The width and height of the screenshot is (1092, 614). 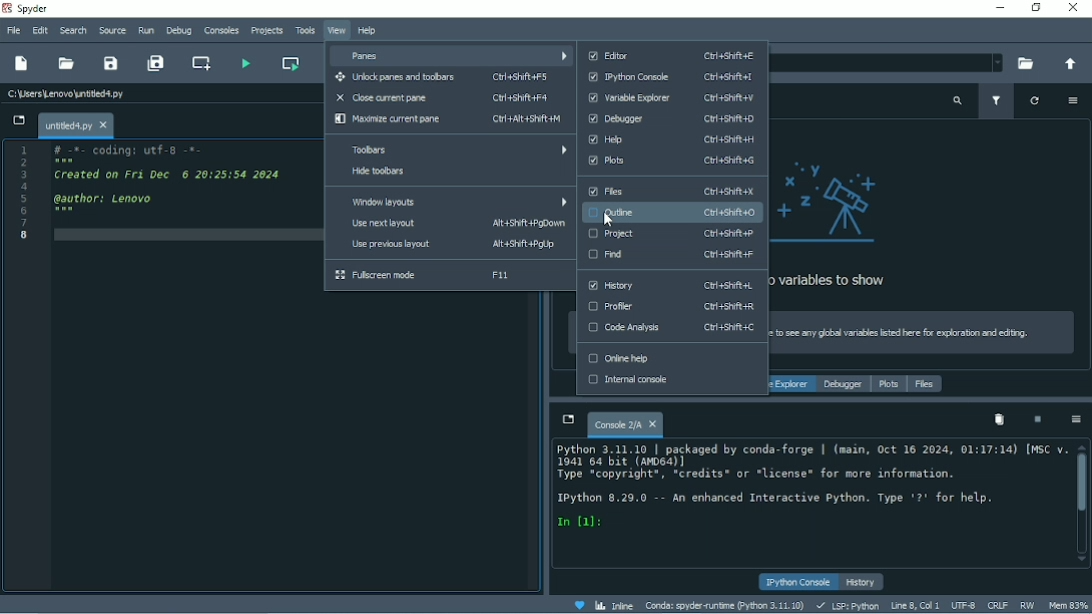 What do you see at coordinates (67, 63) in the screenshot?
I see `Open file` at bounding box center [67, 63].